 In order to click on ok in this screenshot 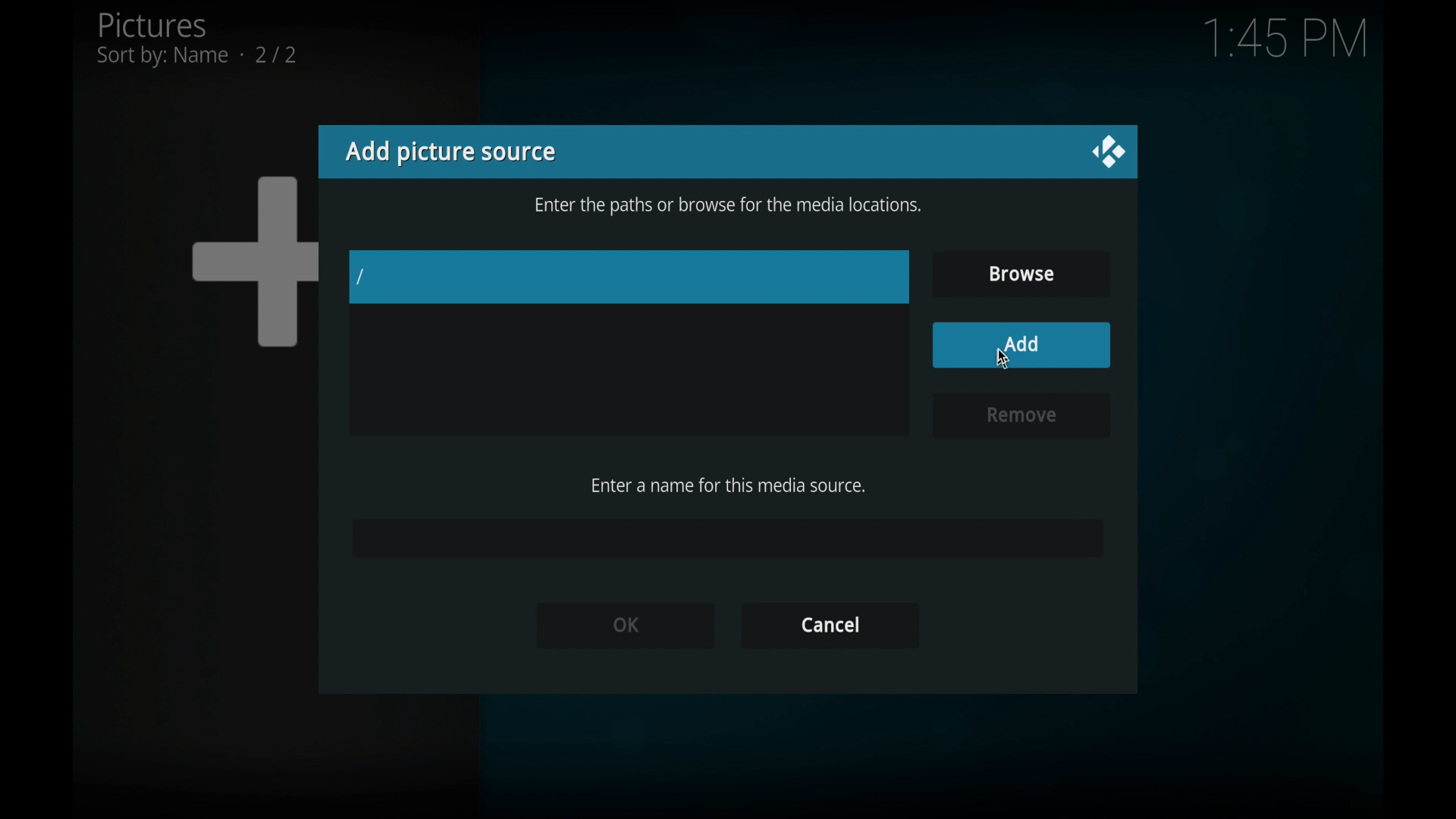, I will do `click(624, 624)`.